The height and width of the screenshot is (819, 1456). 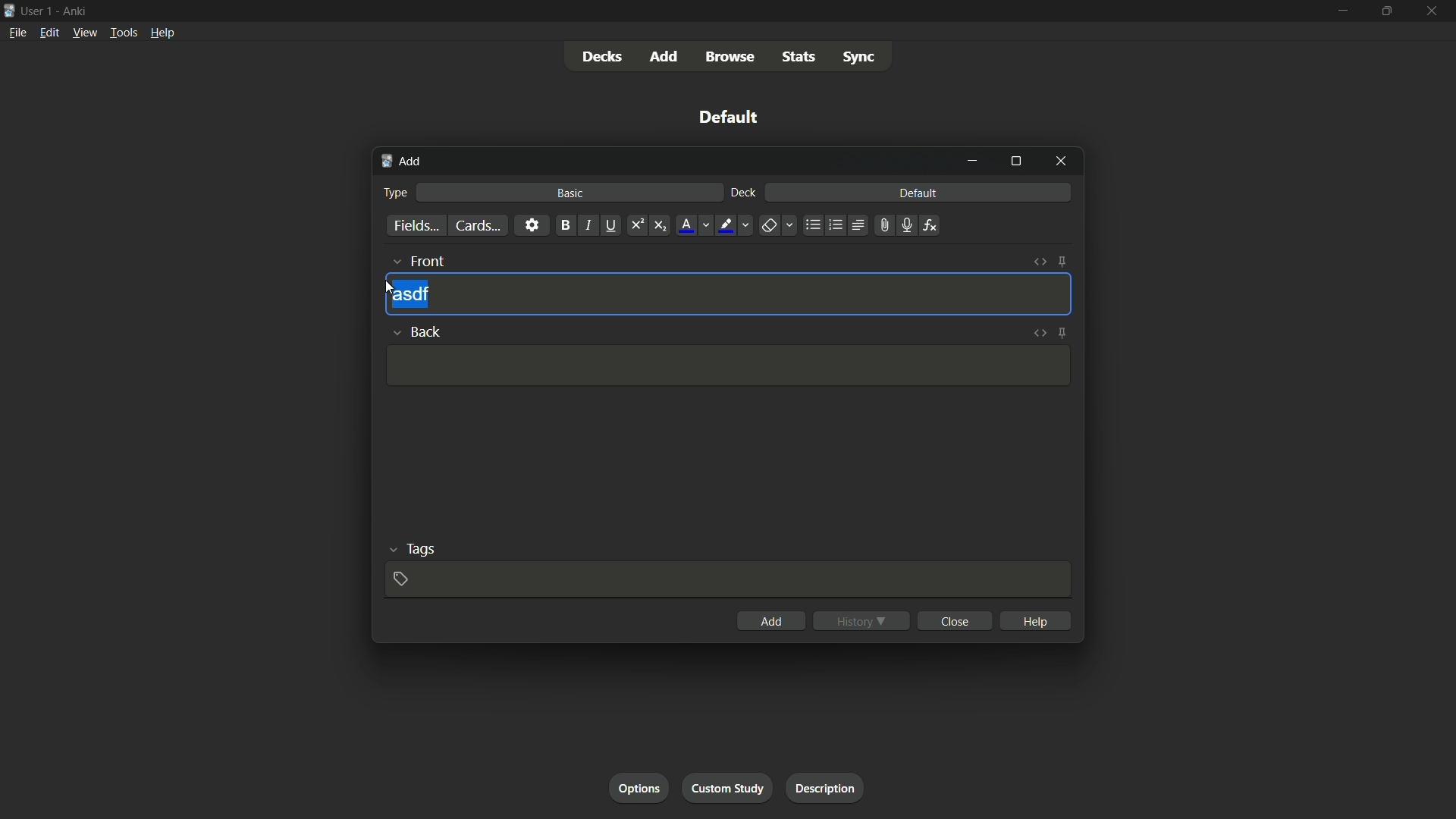 I want to click on subscript, so click(x=661, y=225).